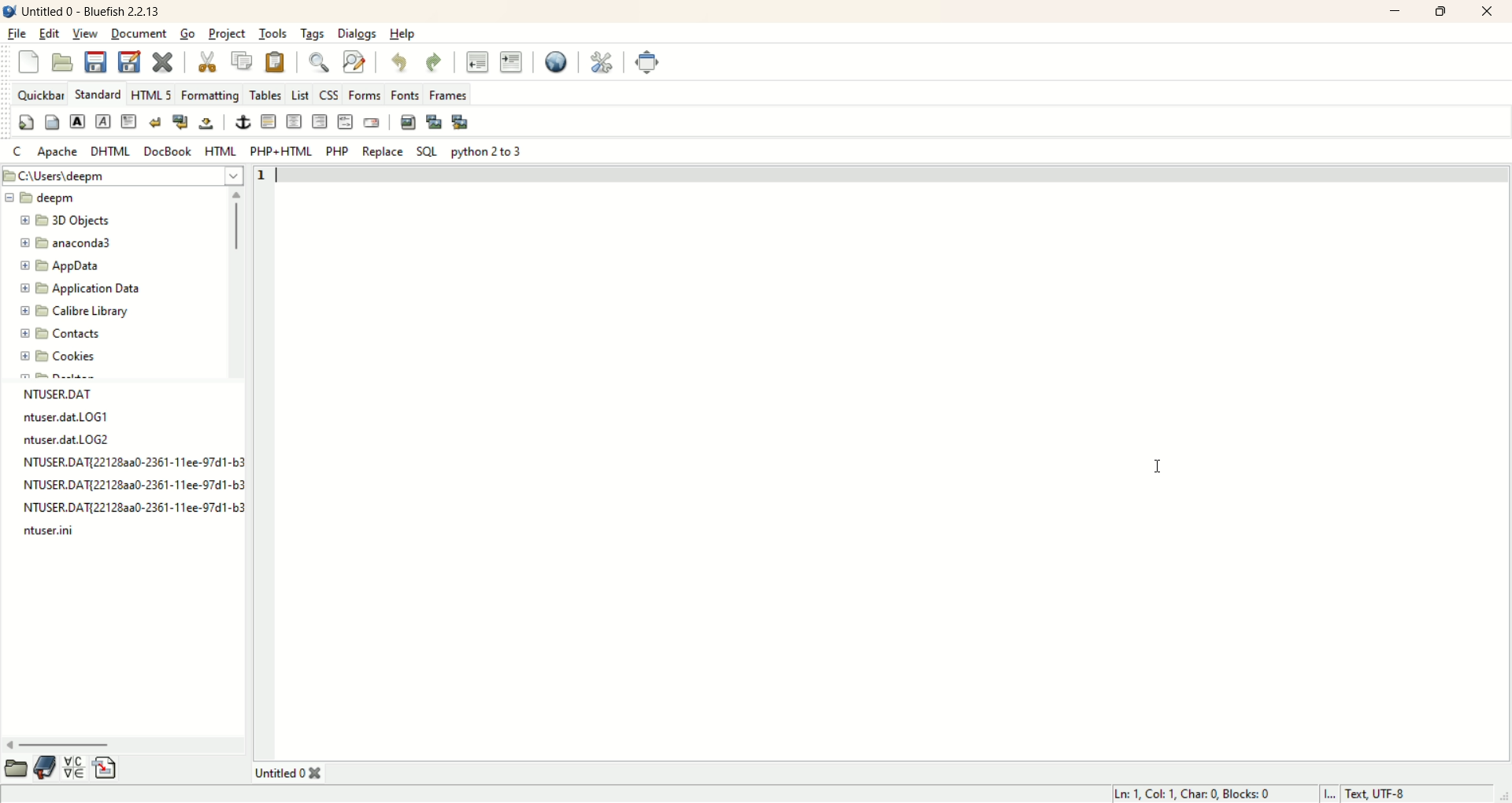 Image resolution: width=1512 pixels, height=803 pixels. Describe the element at coordinates (51, 122) in the screenshot. I see `body` at that location.